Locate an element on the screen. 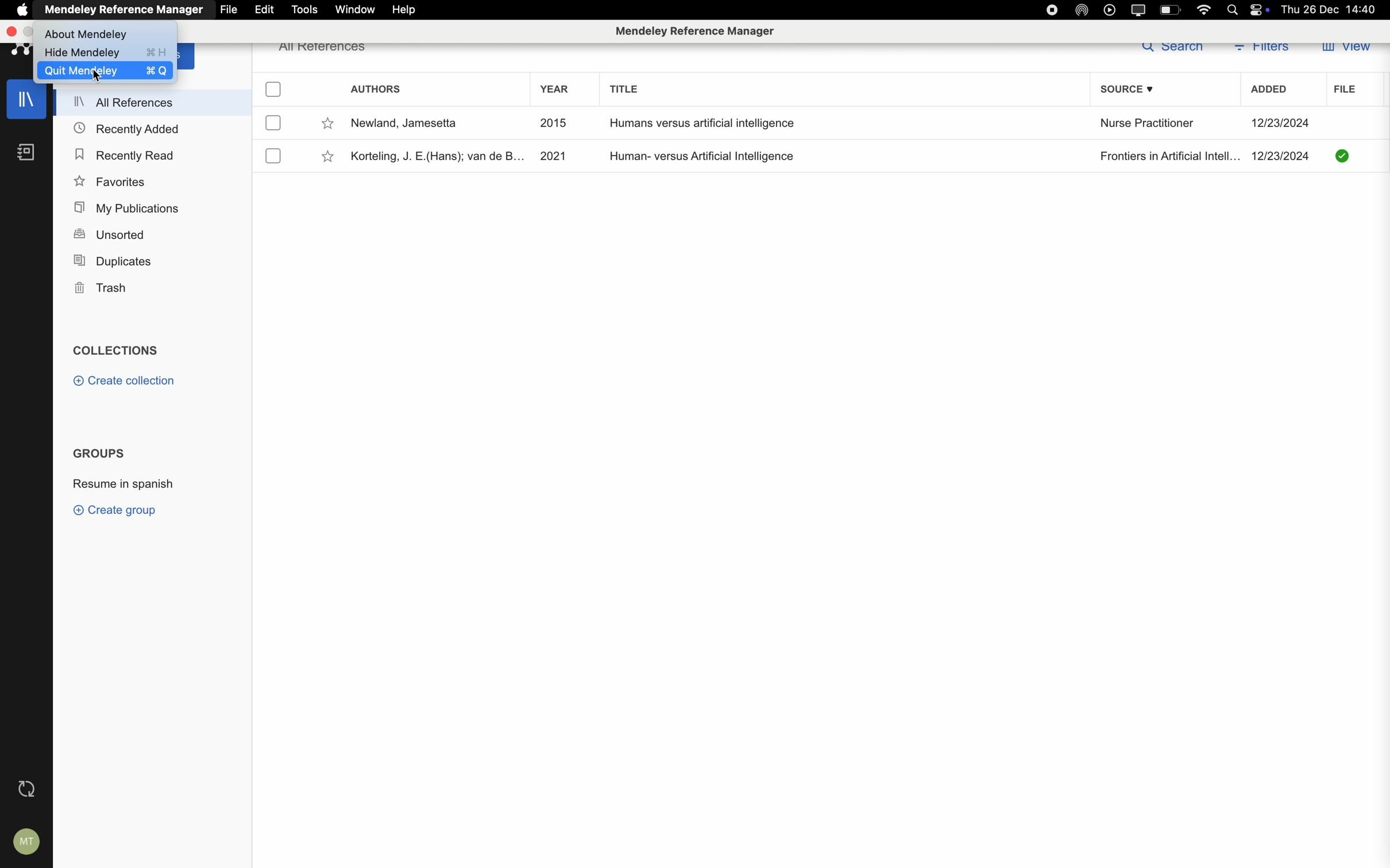 This screenshot has height=868, width=1390. filters is located at coordinates (1264, 52).